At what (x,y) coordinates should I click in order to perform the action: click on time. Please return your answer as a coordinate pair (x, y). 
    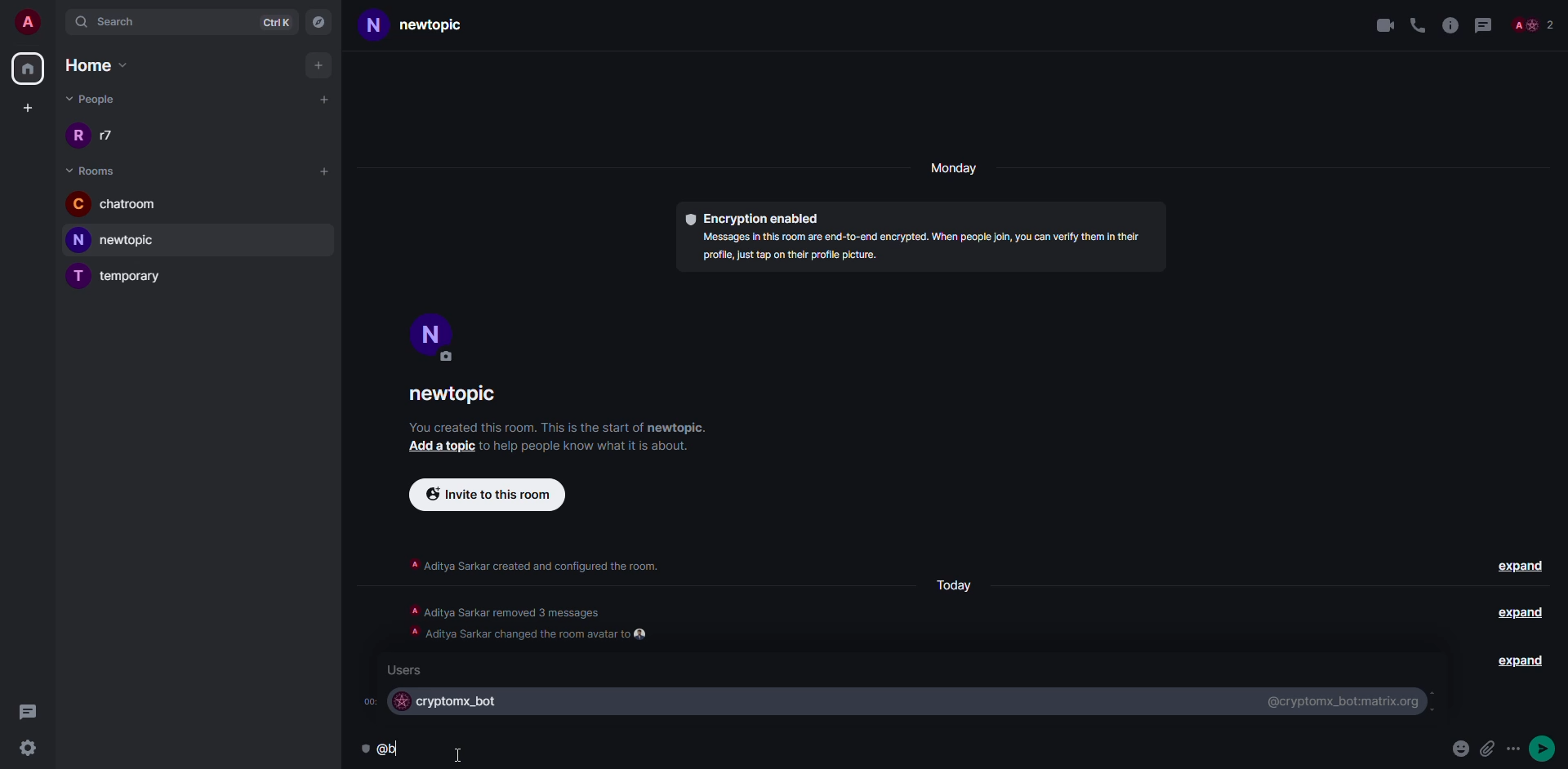
    Looking at the image, I should click on (368, 700).